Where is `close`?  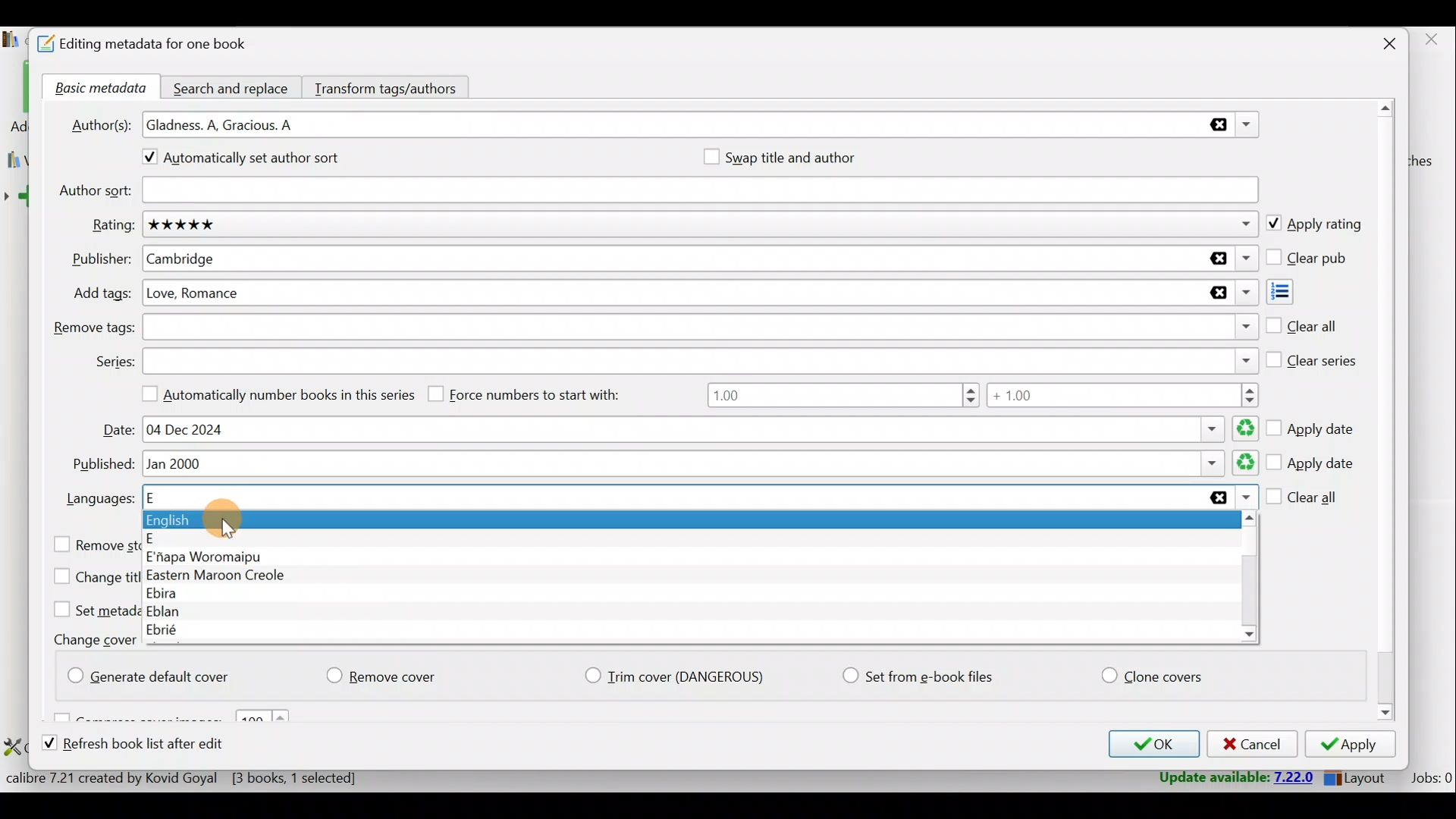
close is located at coordinates (1430, 40).